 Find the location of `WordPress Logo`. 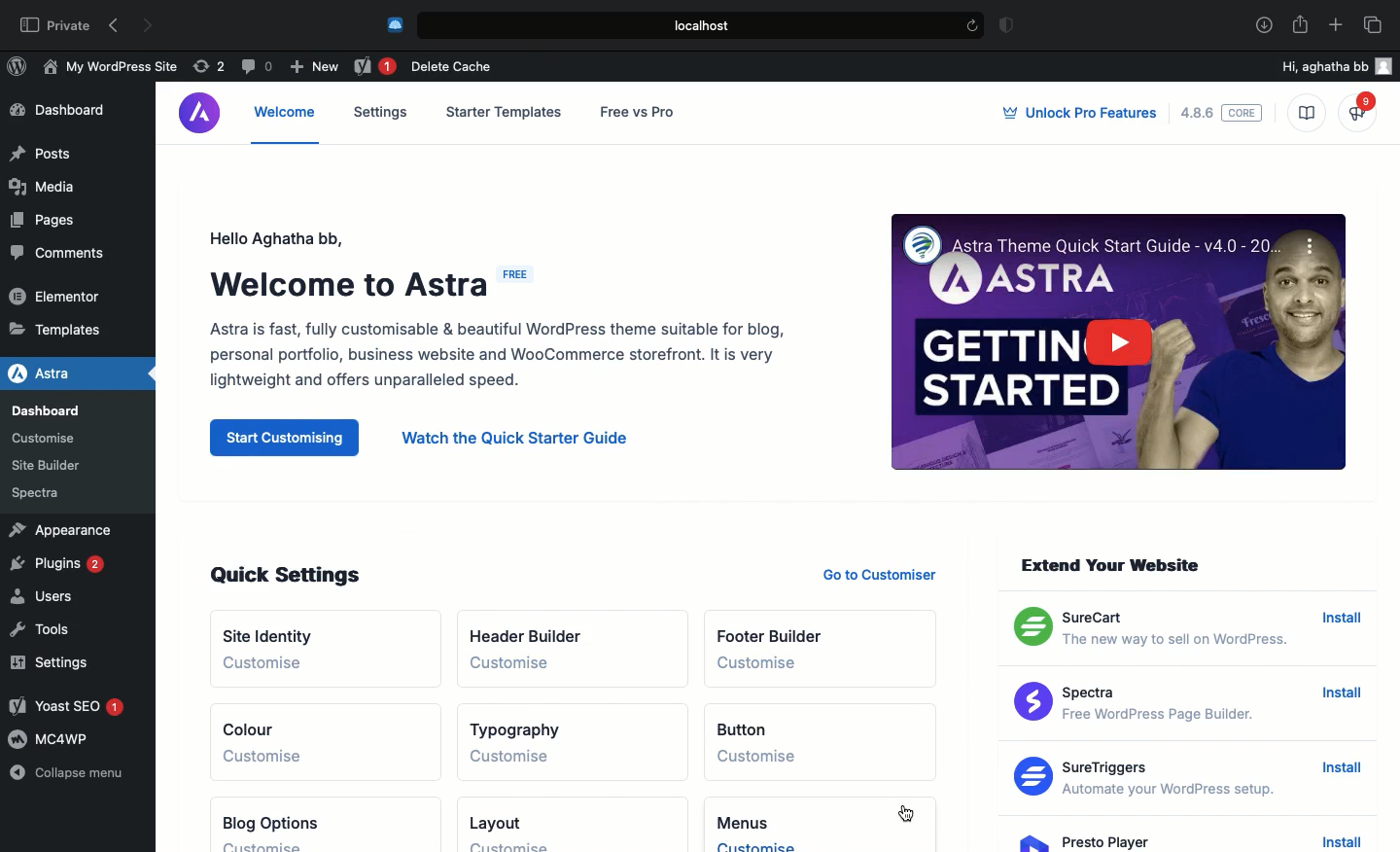

WordPress Logo is located at coordinates (17, 68).